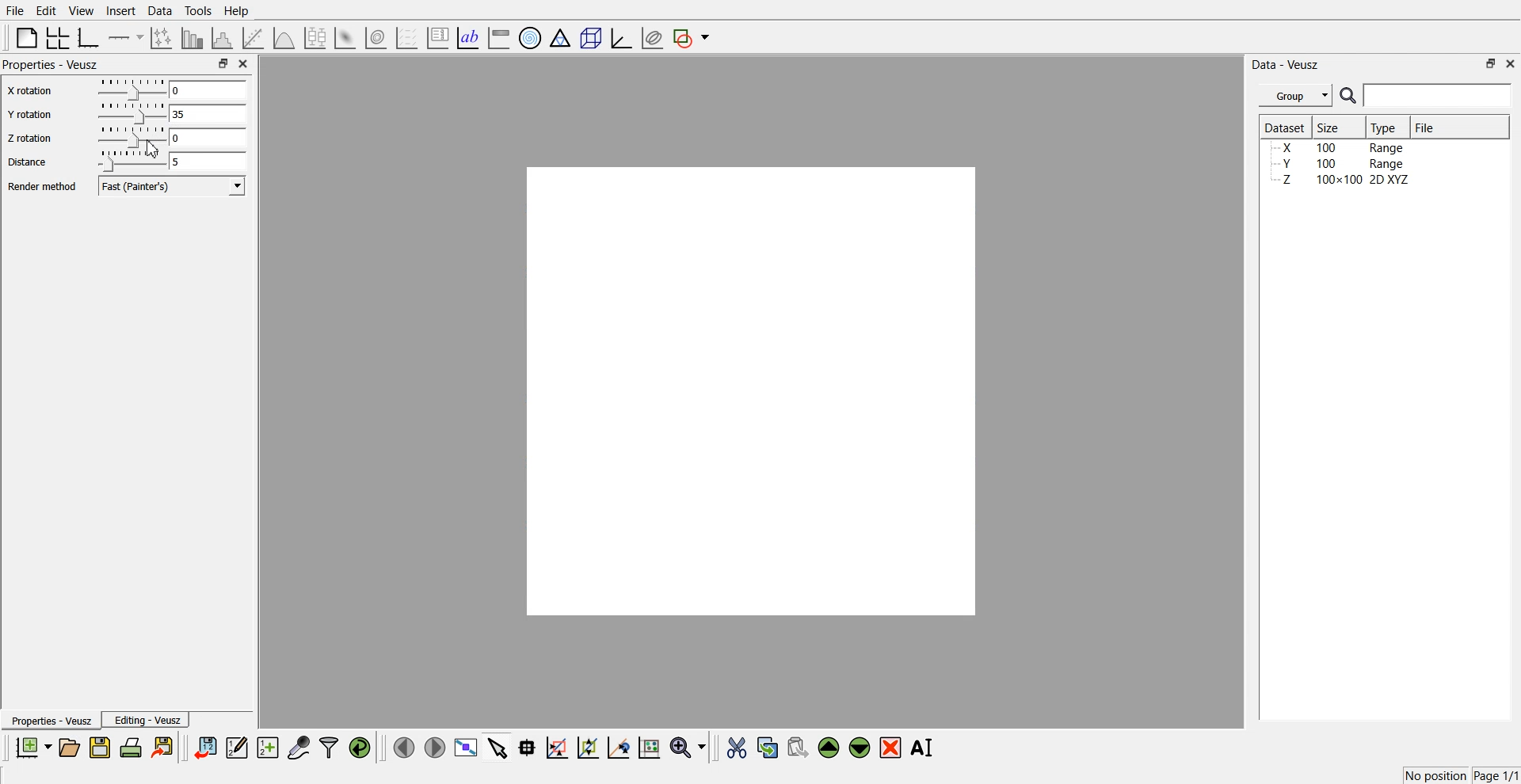  Describe the element at coordinates (798, 746) in the screenshot. I see `Paste widget from the clipboard` at that location.